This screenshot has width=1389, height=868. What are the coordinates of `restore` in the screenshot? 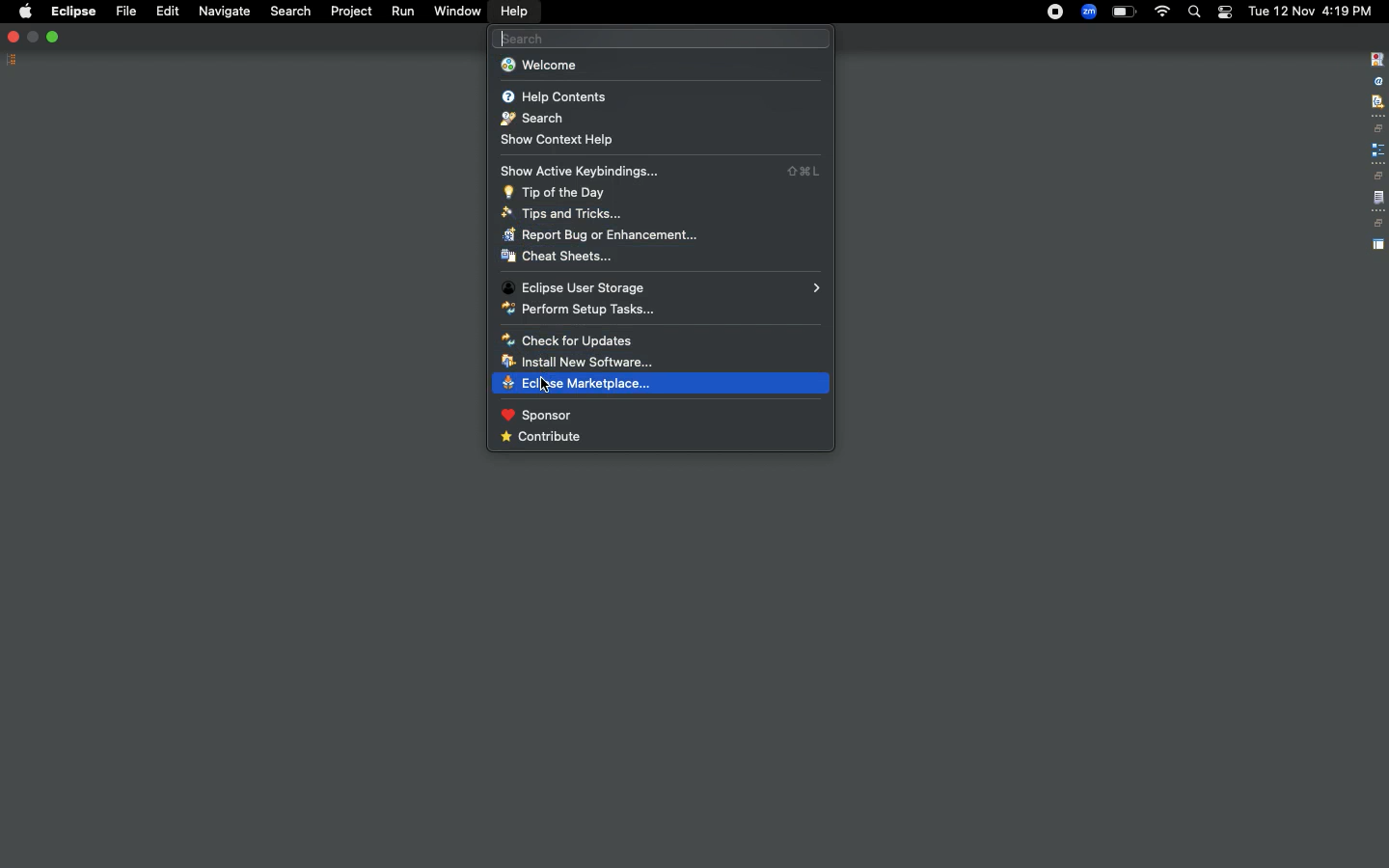 It's located at (1379, 128).